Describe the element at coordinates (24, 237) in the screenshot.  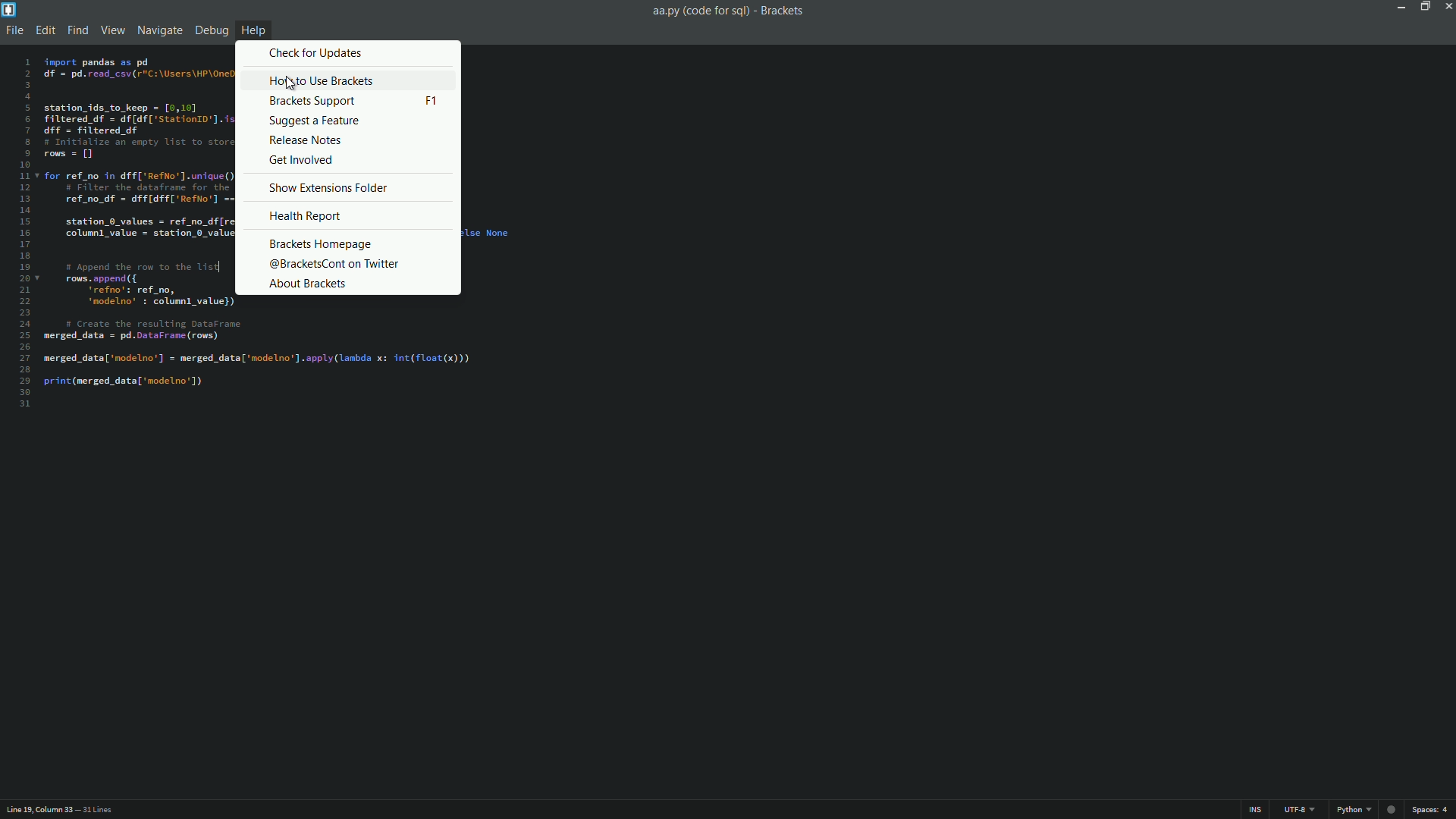
I see `line numbers` at that location.